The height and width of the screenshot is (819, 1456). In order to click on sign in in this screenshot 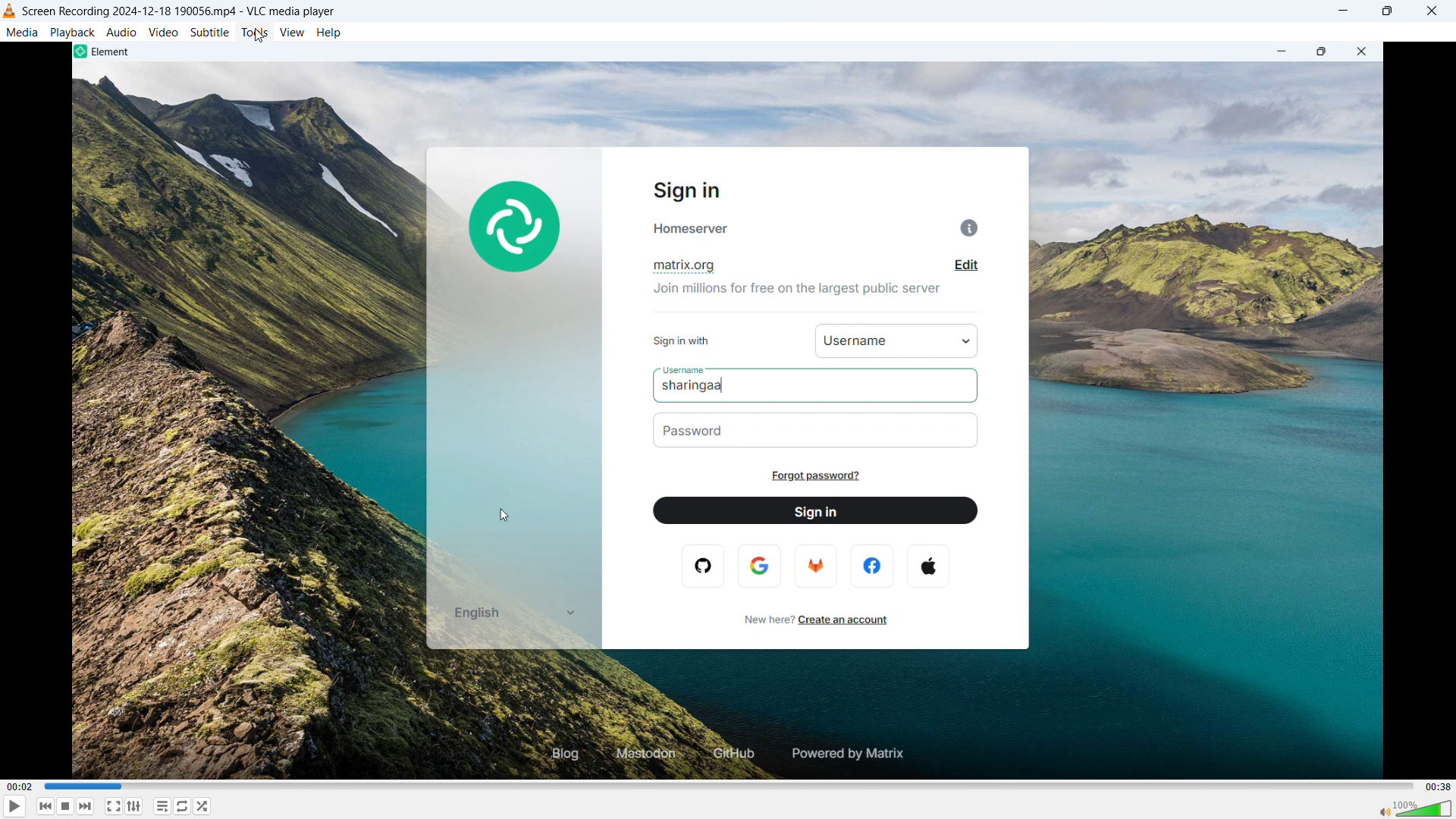, I will do `click(686, 190)`.